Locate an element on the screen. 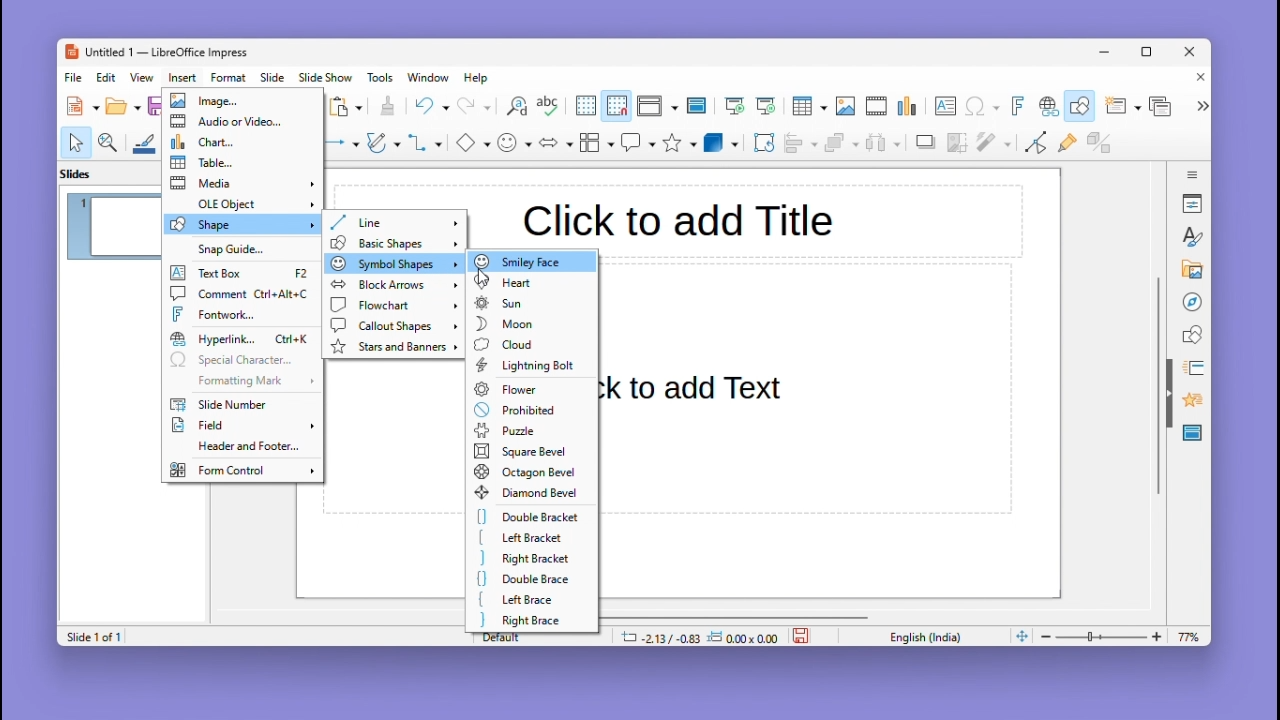 The height and width of the screenshot is (720, 1280). New slide is located at coordinates (1122, 107).